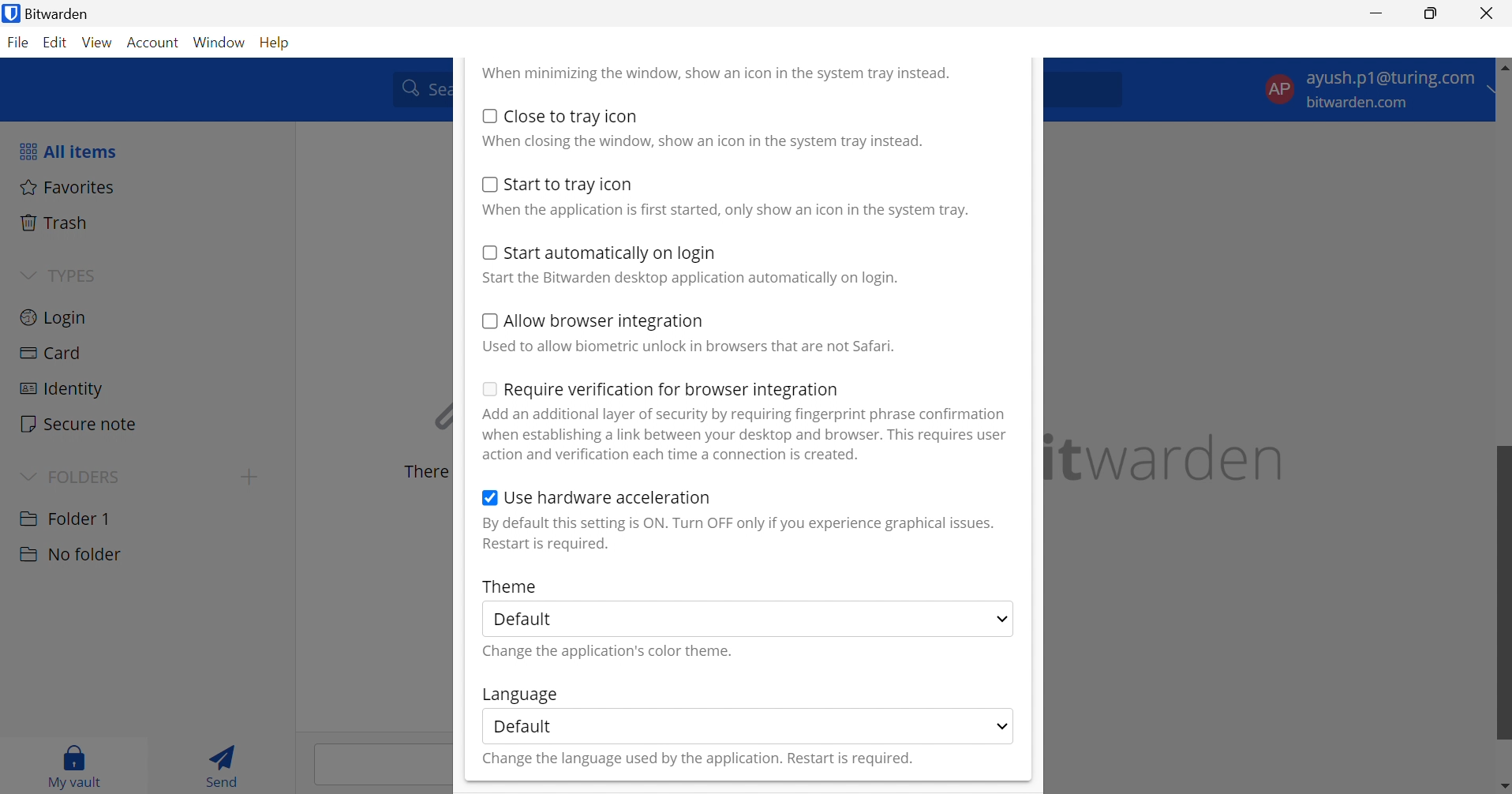 The height and width of the screenshot is (794, 1512). What do you see at coordinates (530, 620) in the screenshot?
I see `Default` at bounding box center [530, 620].